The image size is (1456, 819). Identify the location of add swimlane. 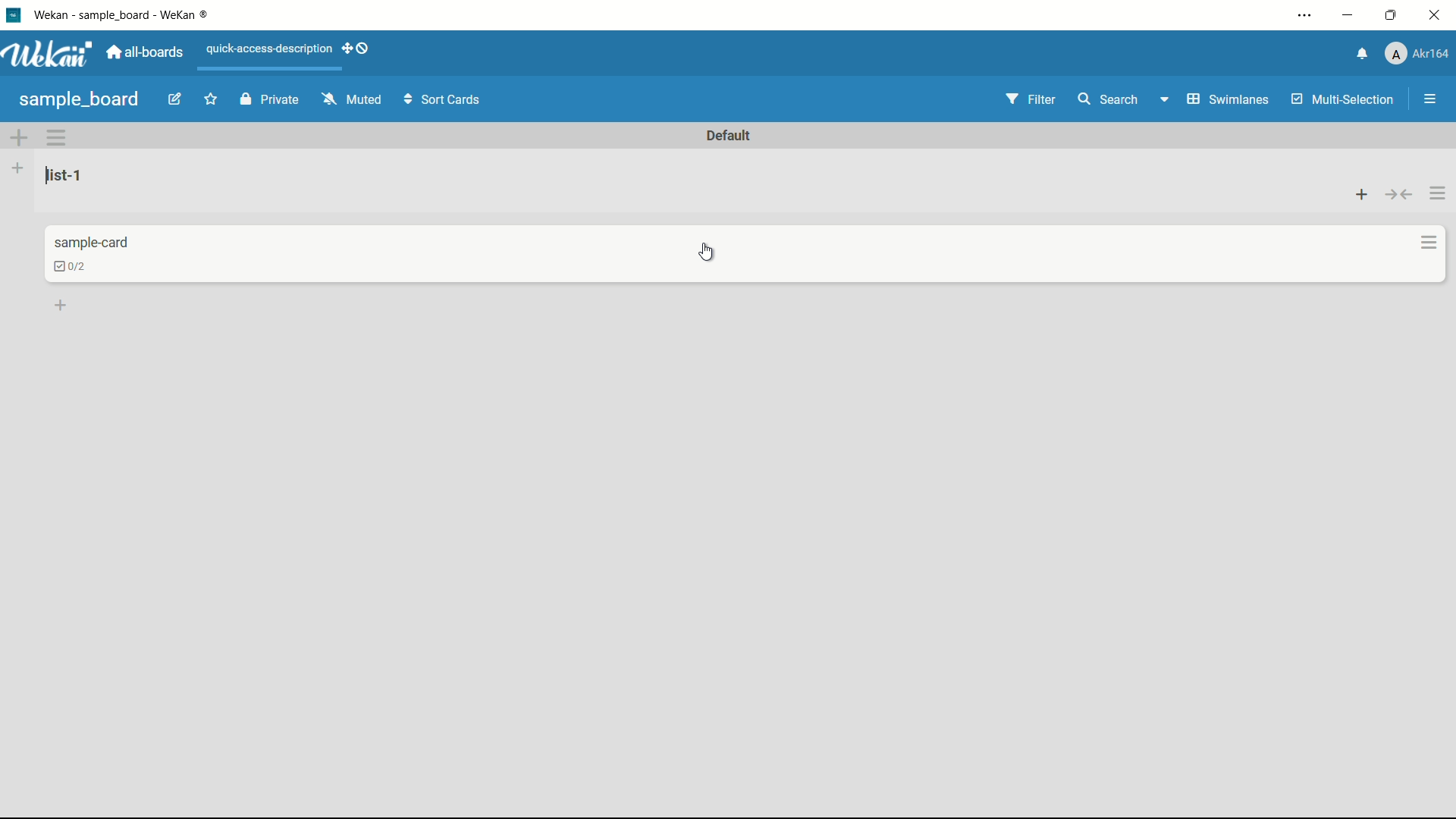
(20, 137).